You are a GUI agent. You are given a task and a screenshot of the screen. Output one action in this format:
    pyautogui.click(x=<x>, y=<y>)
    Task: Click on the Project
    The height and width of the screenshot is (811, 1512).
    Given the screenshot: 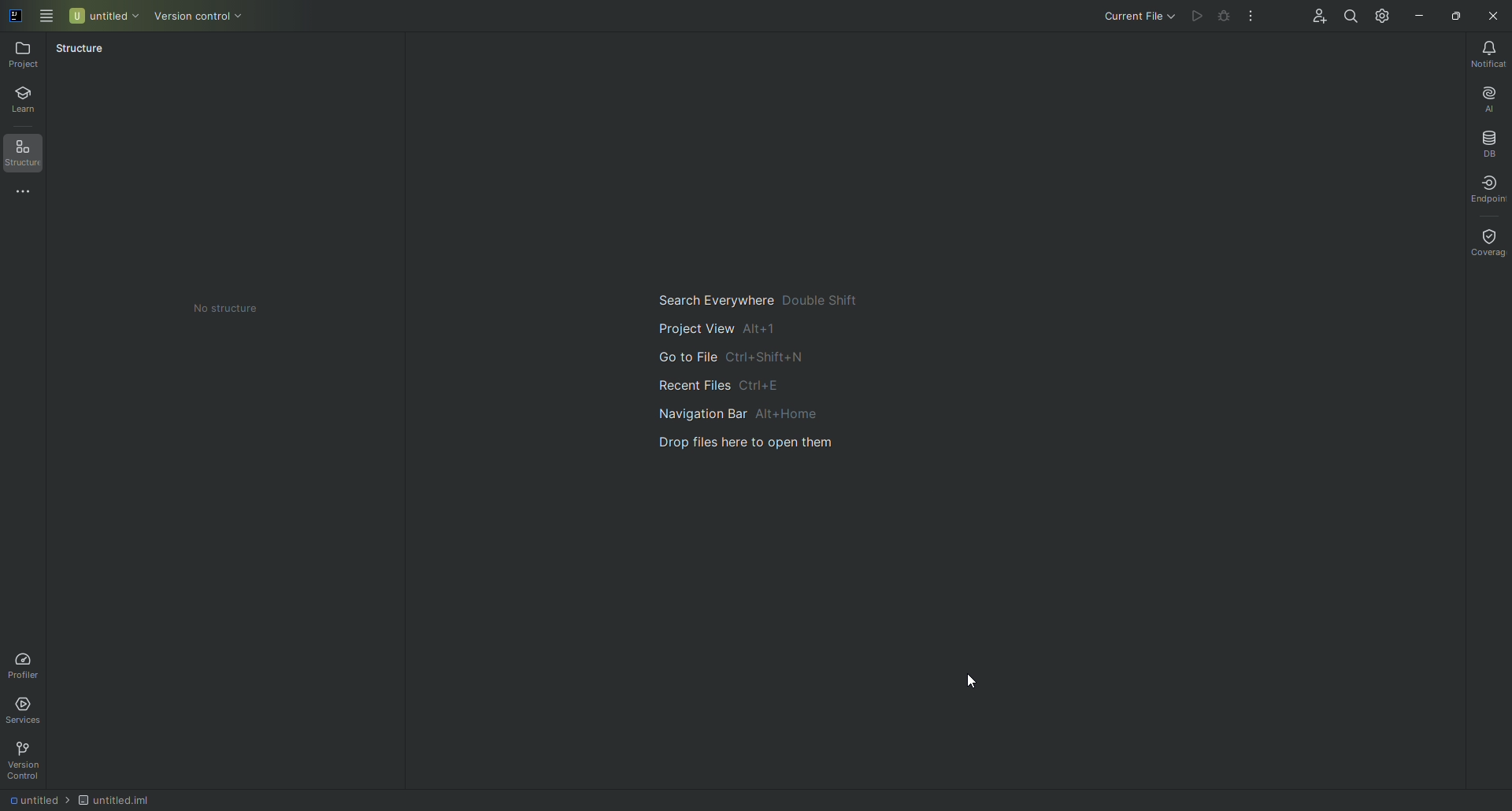 What is the action you would take?
    pyautogui.click(x=28, y=59)
    